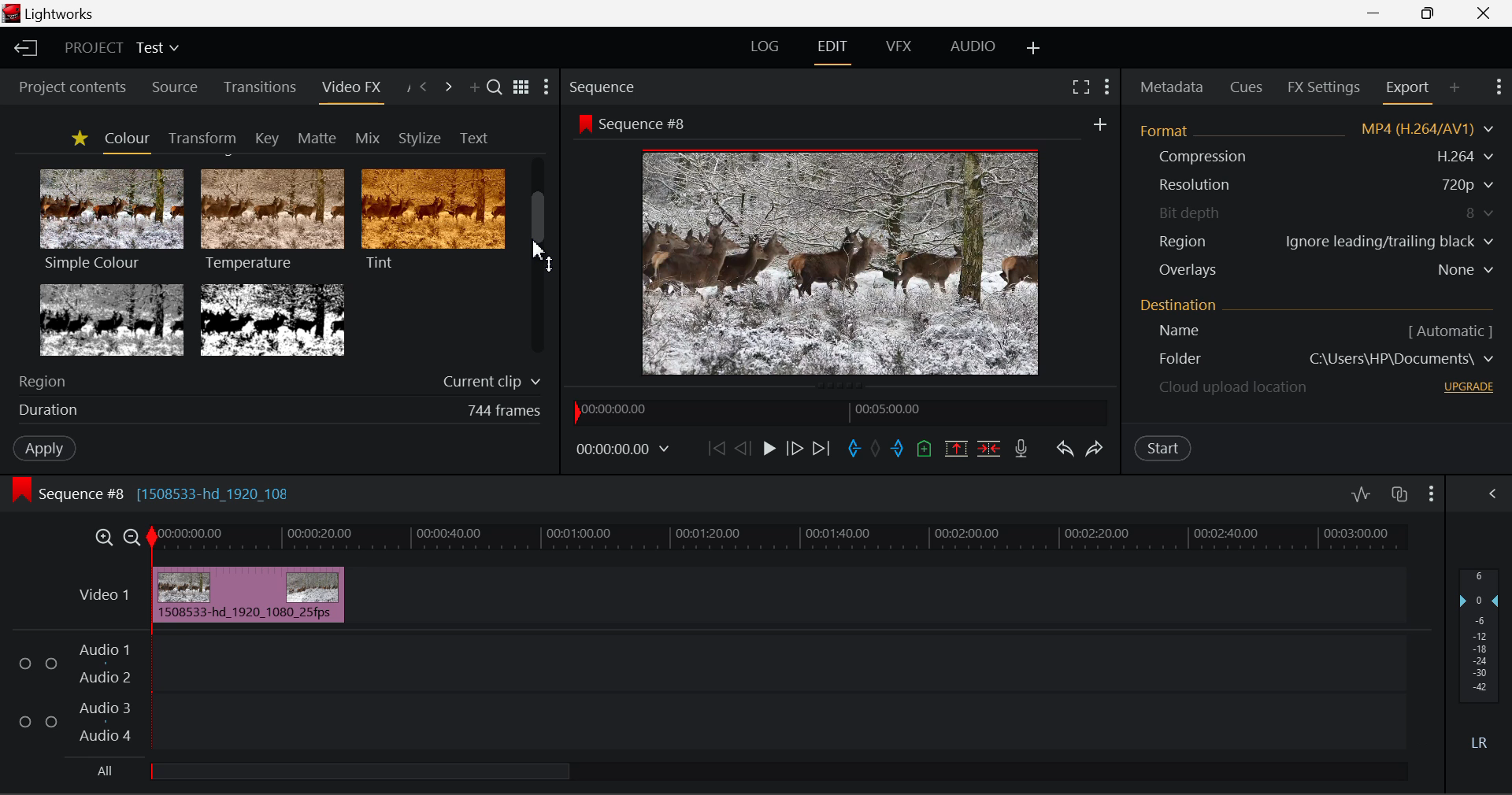 Image resolution: width=1512 pixels, height=795 pixels. Describe the element at coordinates (102, 733) in the screenshot. I see `Audio 4` at that location.